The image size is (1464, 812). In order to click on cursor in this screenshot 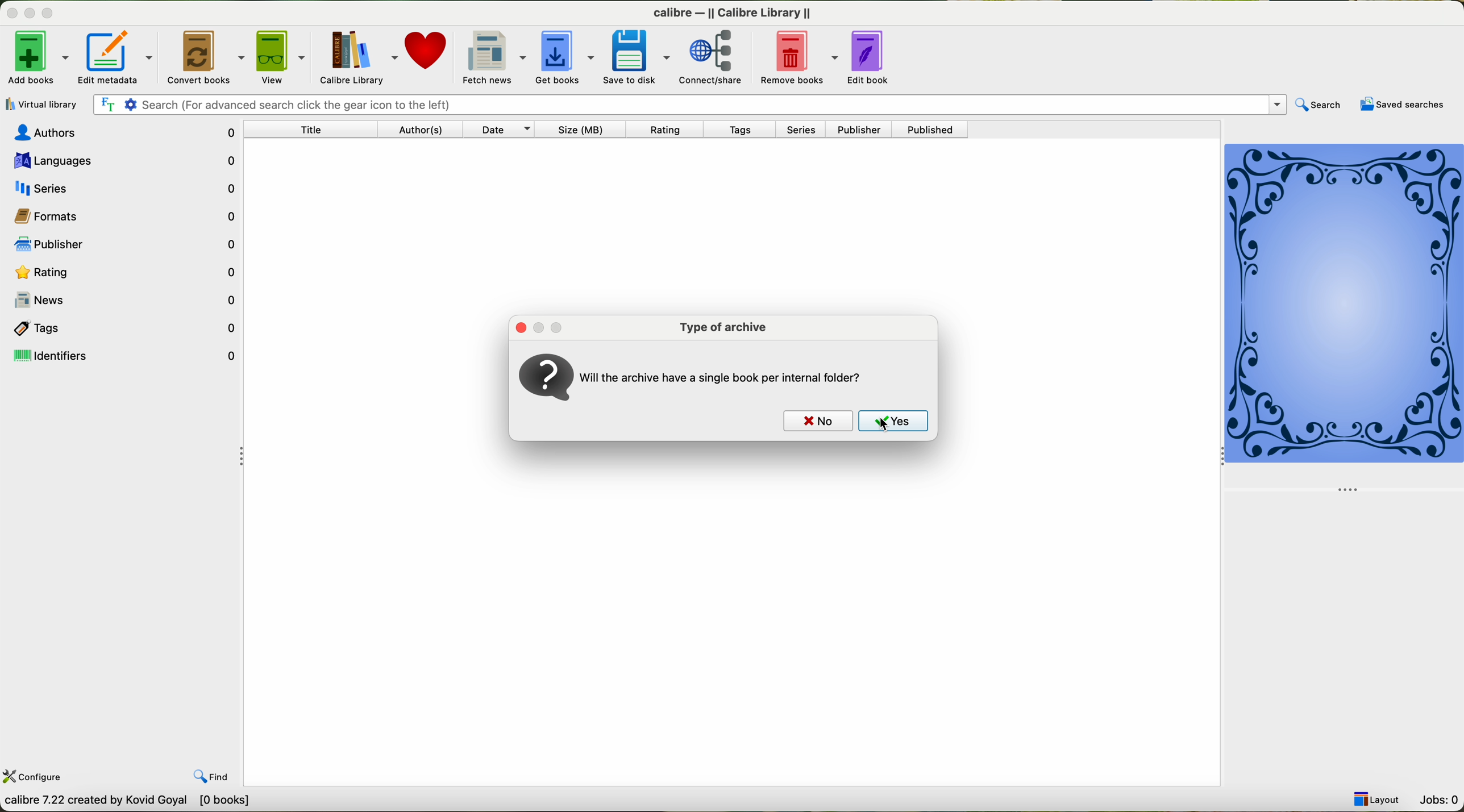, I will do `click(880, 424)`.